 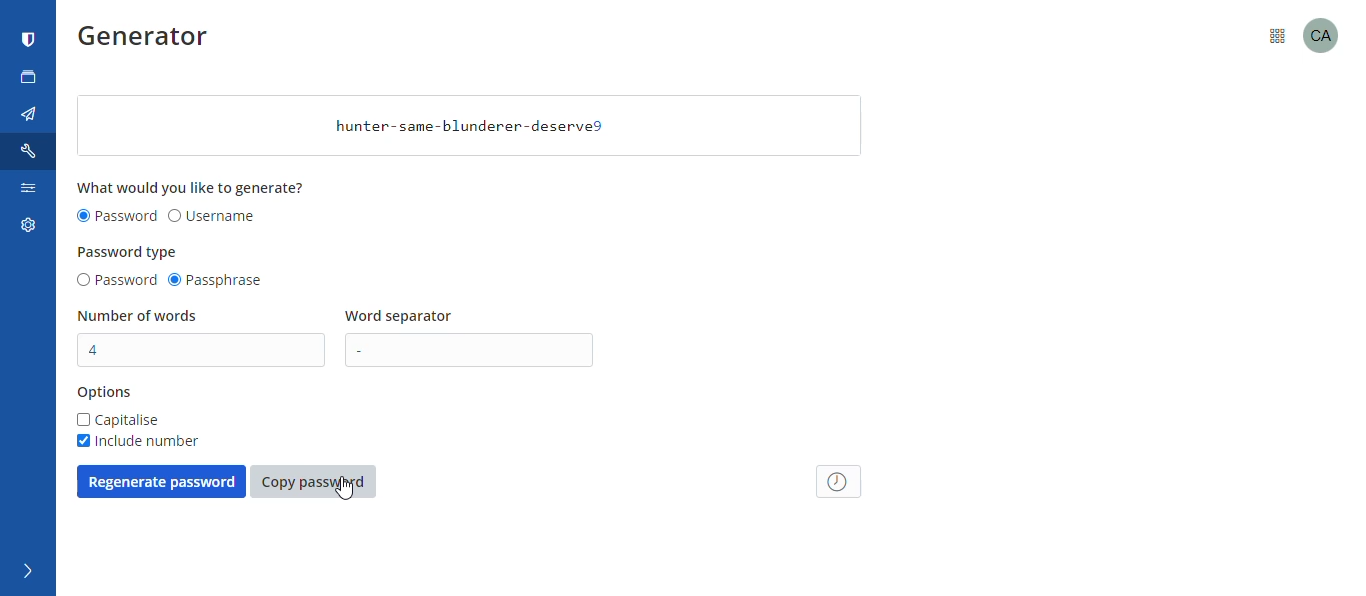 I want to click on number of words, so click(x=139, y=316).